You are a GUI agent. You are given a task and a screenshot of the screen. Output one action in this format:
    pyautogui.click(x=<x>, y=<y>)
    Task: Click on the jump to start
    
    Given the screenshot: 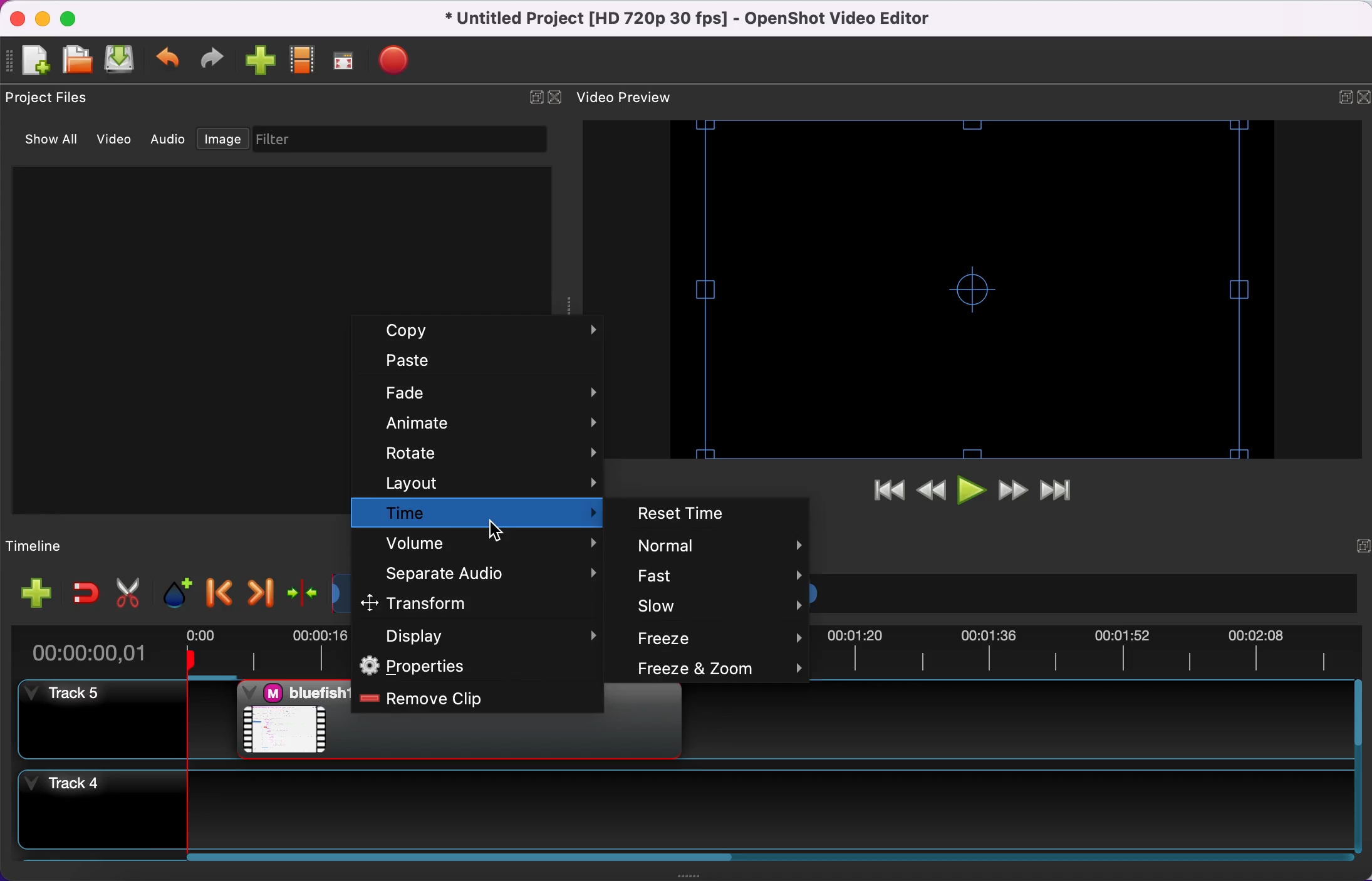 What is the action you would take?
    pyautogui.click(x=885, y=493)
    